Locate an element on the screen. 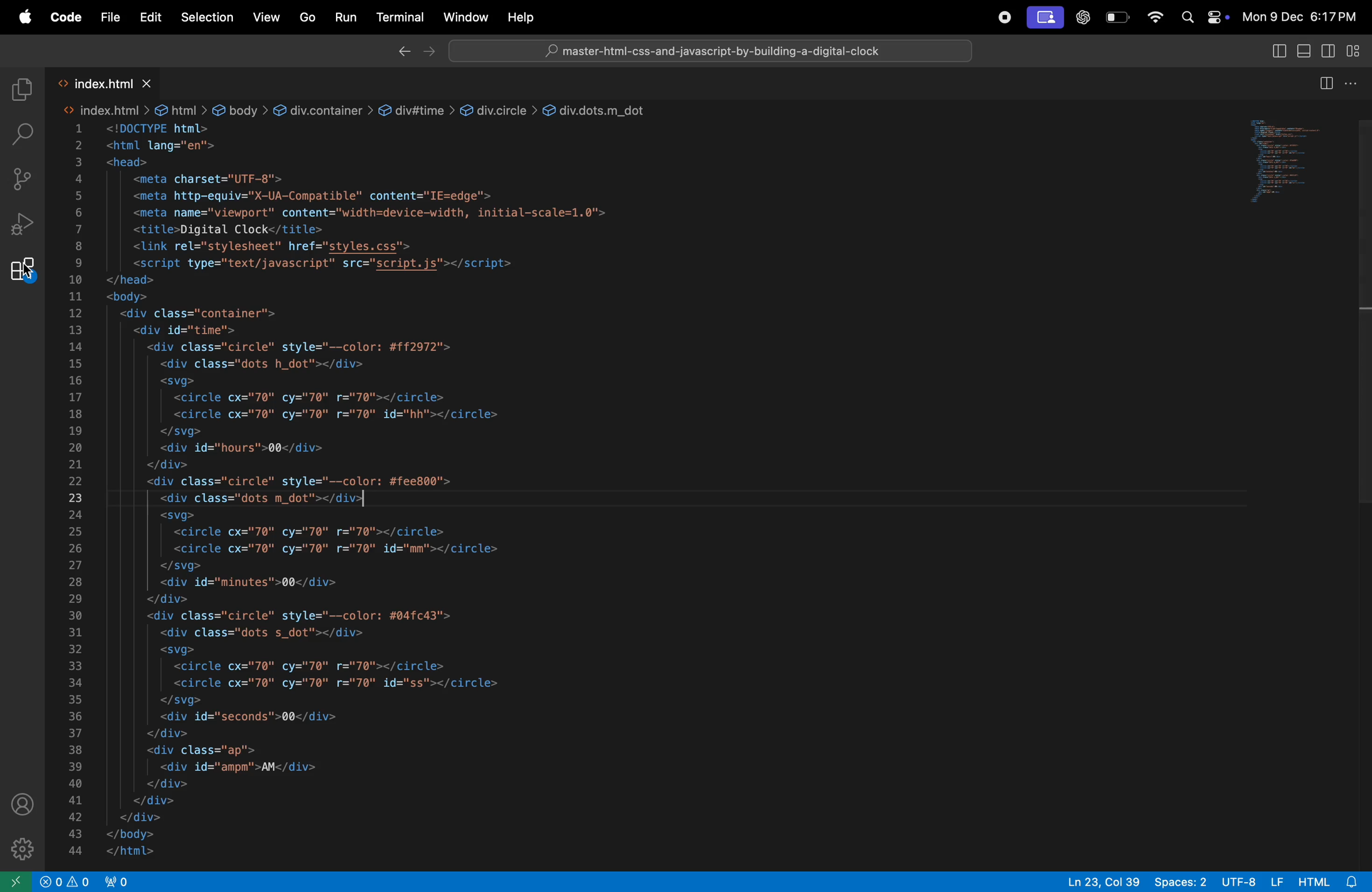 This screenshot has height=892, width=1372. debug is located at coordinates (22, 224).